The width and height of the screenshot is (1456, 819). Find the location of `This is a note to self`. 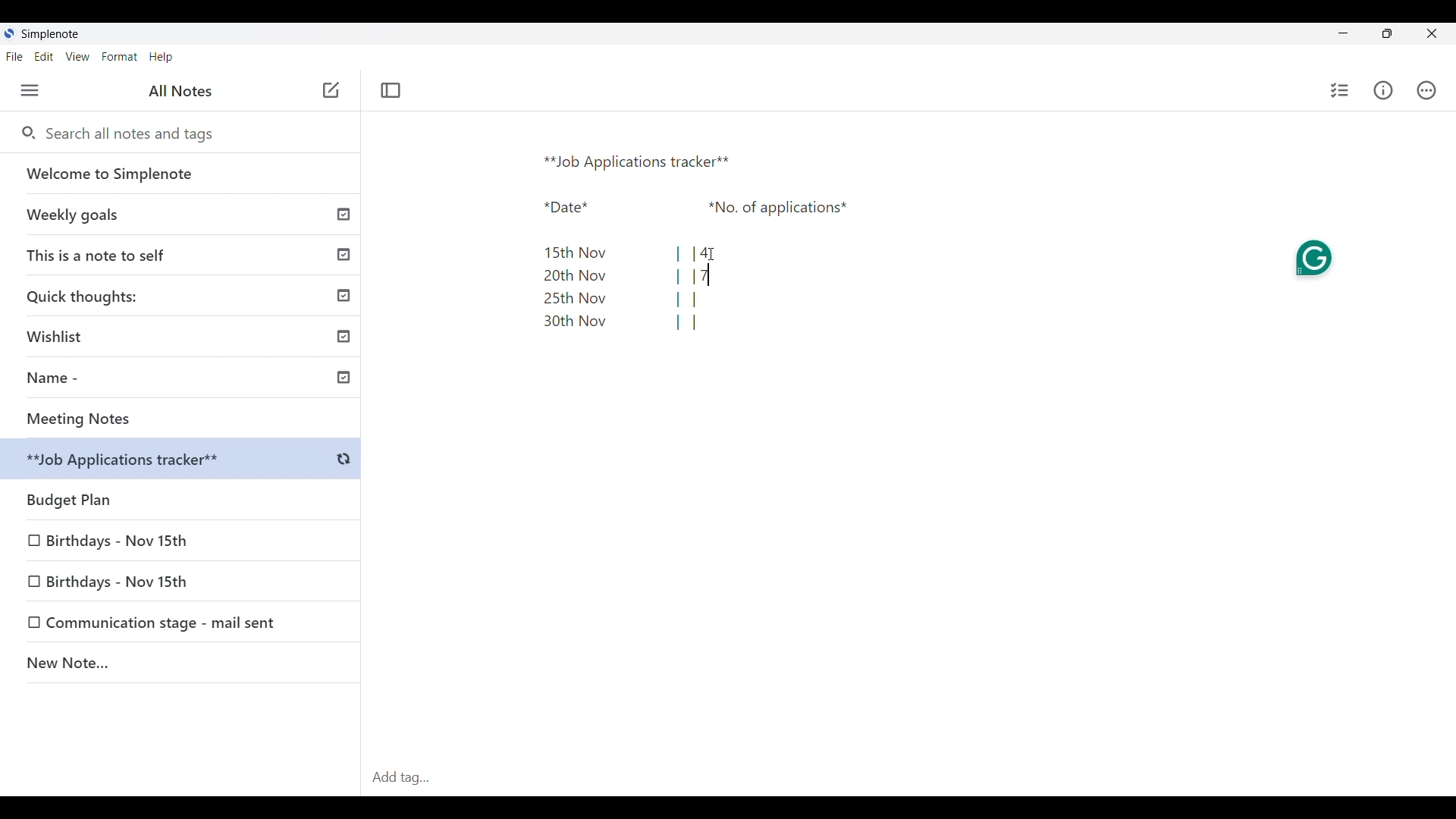

This is a note to self is located at coordinates (183, 254).